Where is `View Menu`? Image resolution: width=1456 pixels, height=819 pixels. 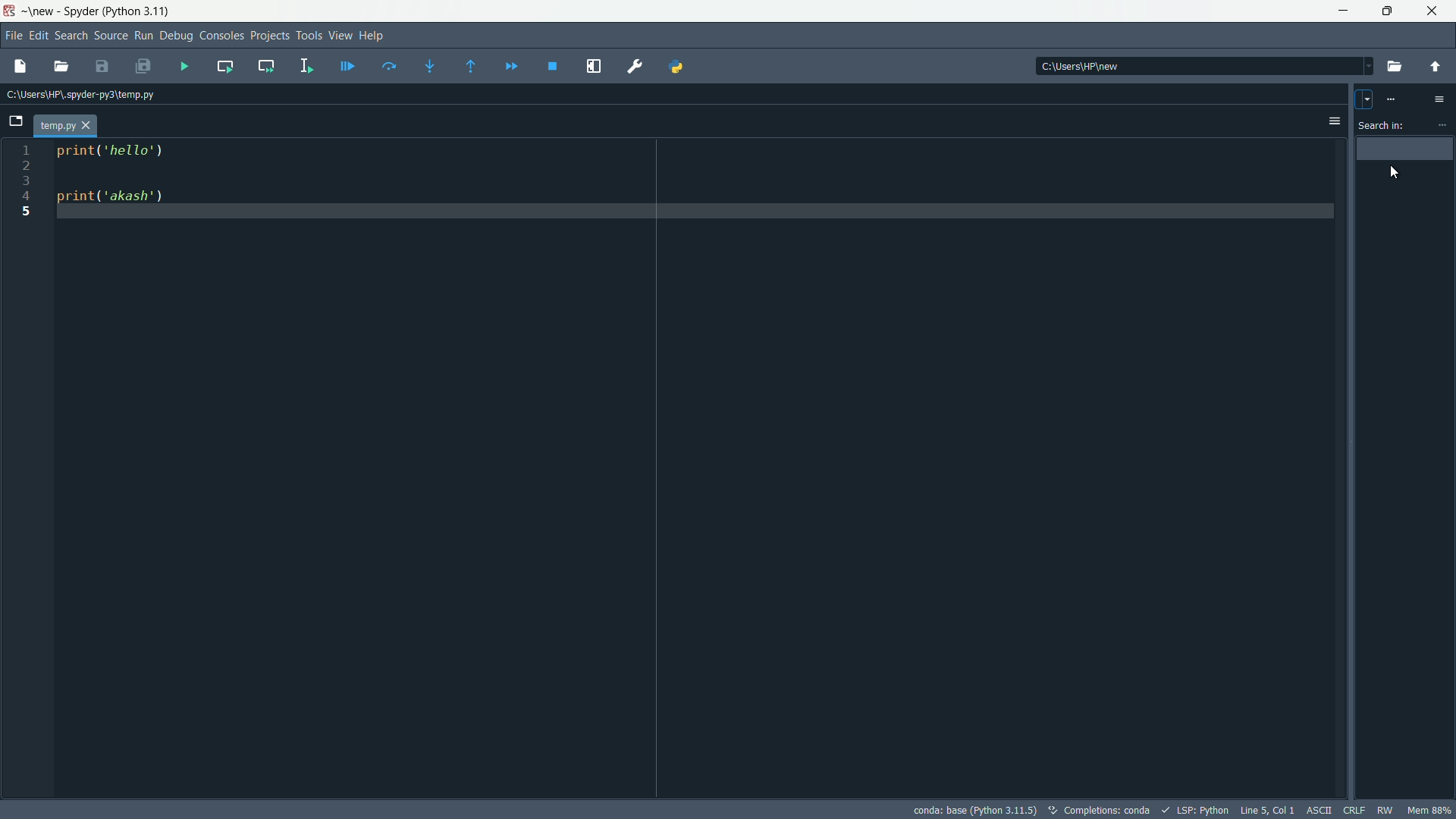 View Menu is located at coordinates (338, 35).